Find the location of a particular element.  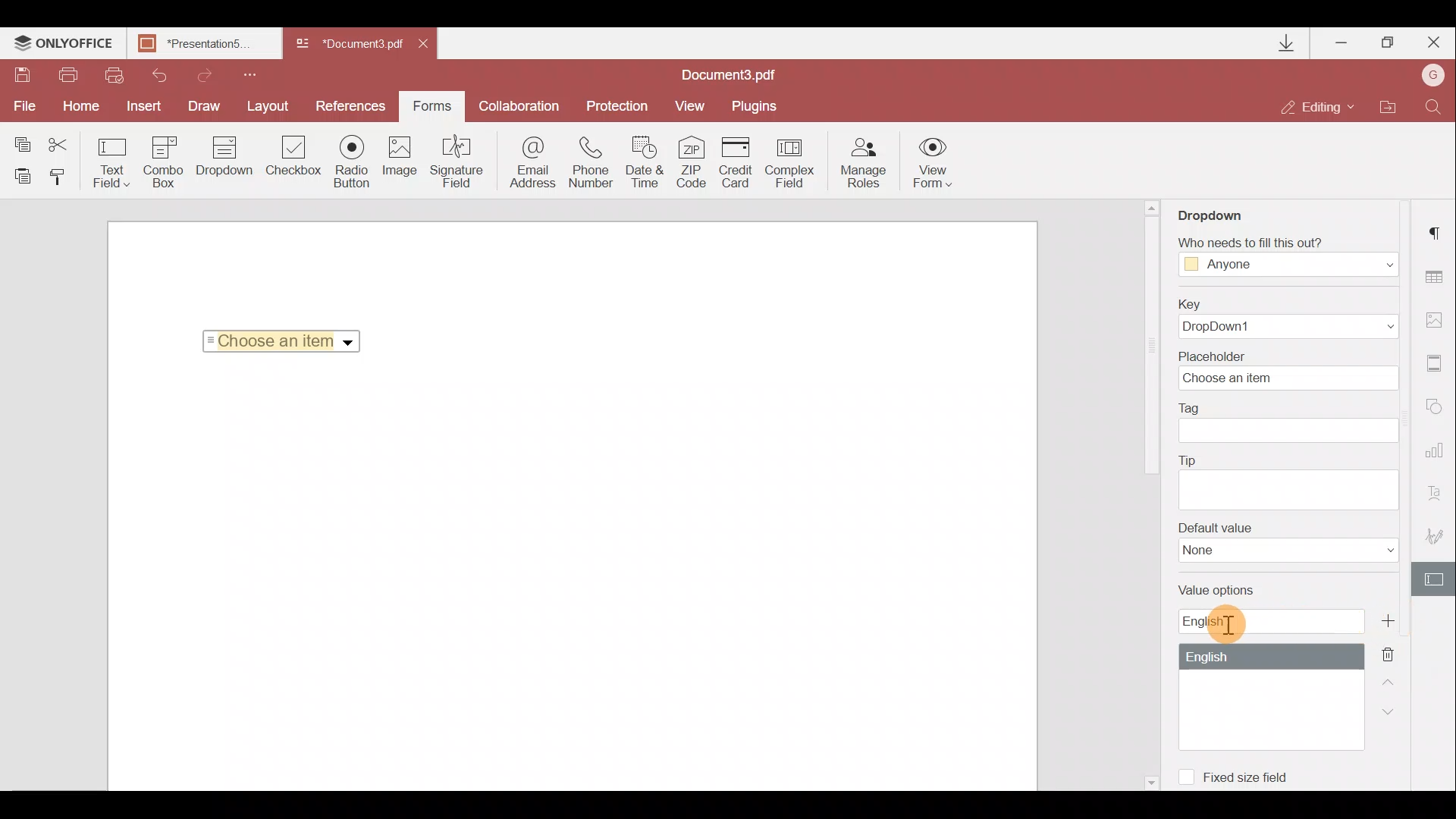

Dropdown is located at coordinates (1224, 210).